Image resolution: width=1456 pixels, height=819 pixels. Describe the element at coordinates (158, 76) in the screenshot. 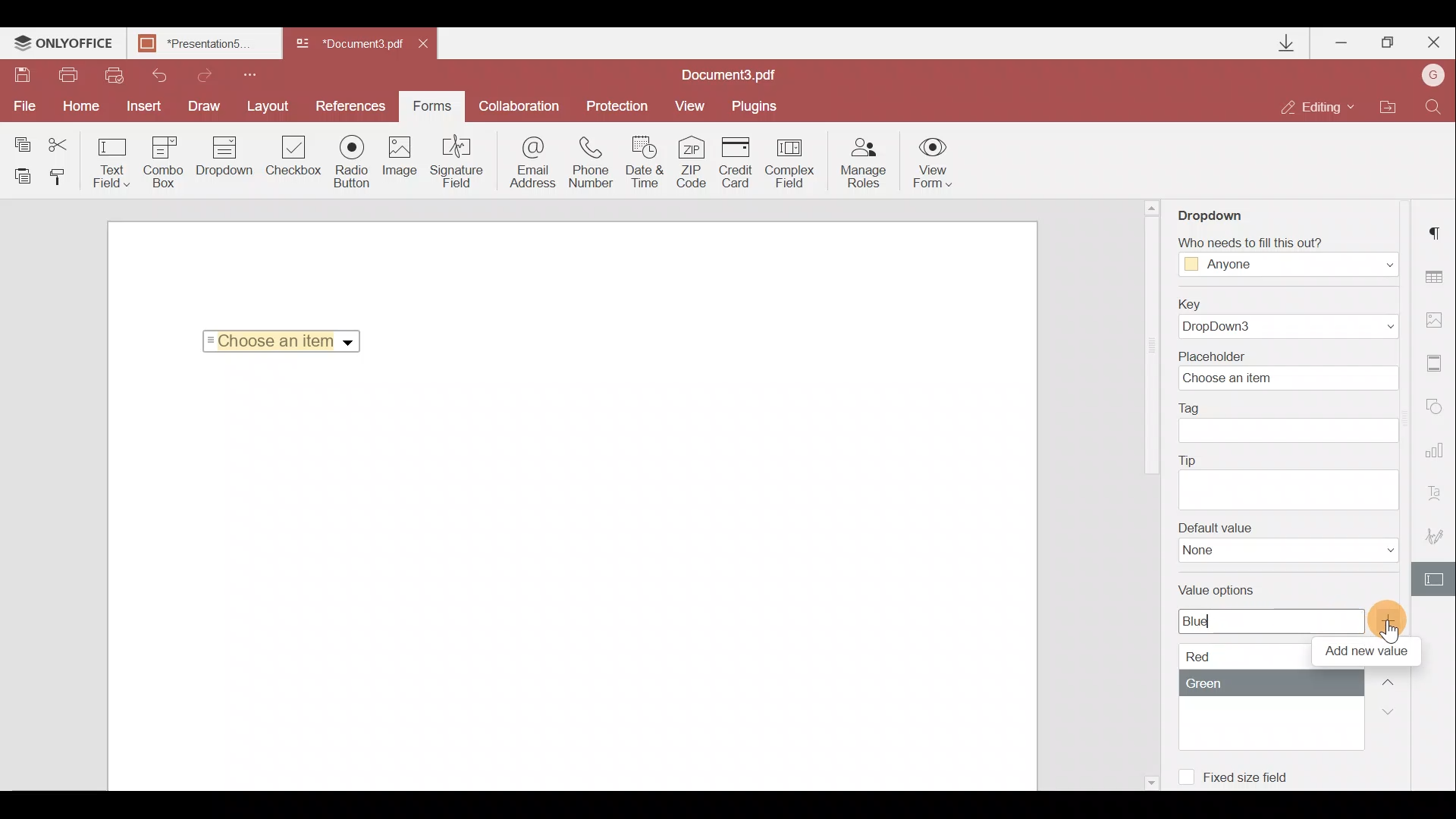

I see `Undo` at that location.